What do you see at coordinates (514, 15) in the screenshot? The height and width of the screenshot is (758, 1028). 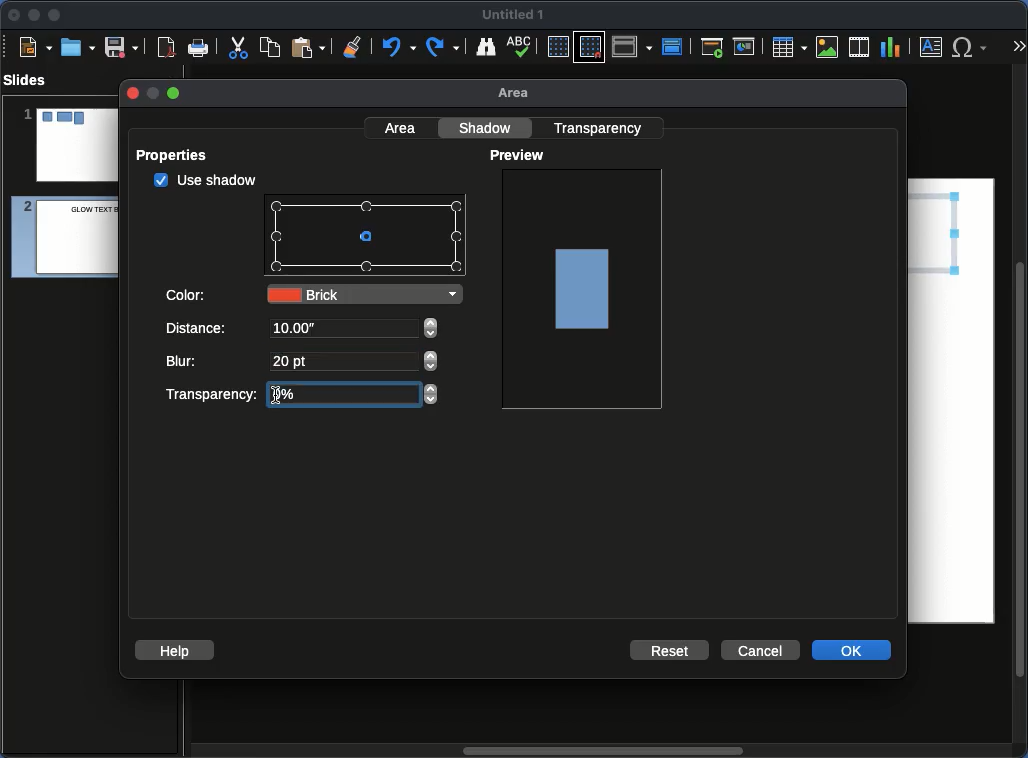 I see `Name` at bounding box center [514, 15].